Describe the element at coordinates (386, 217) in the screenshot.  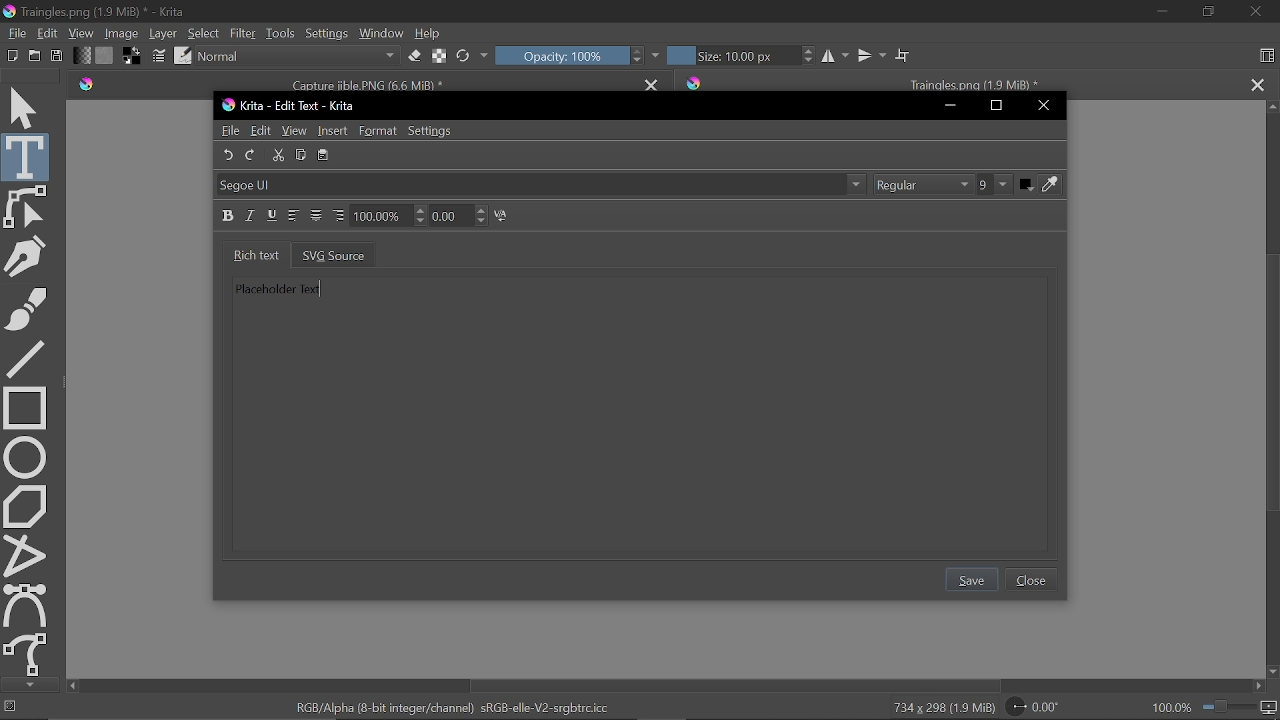
I see `100.00%` at that location.